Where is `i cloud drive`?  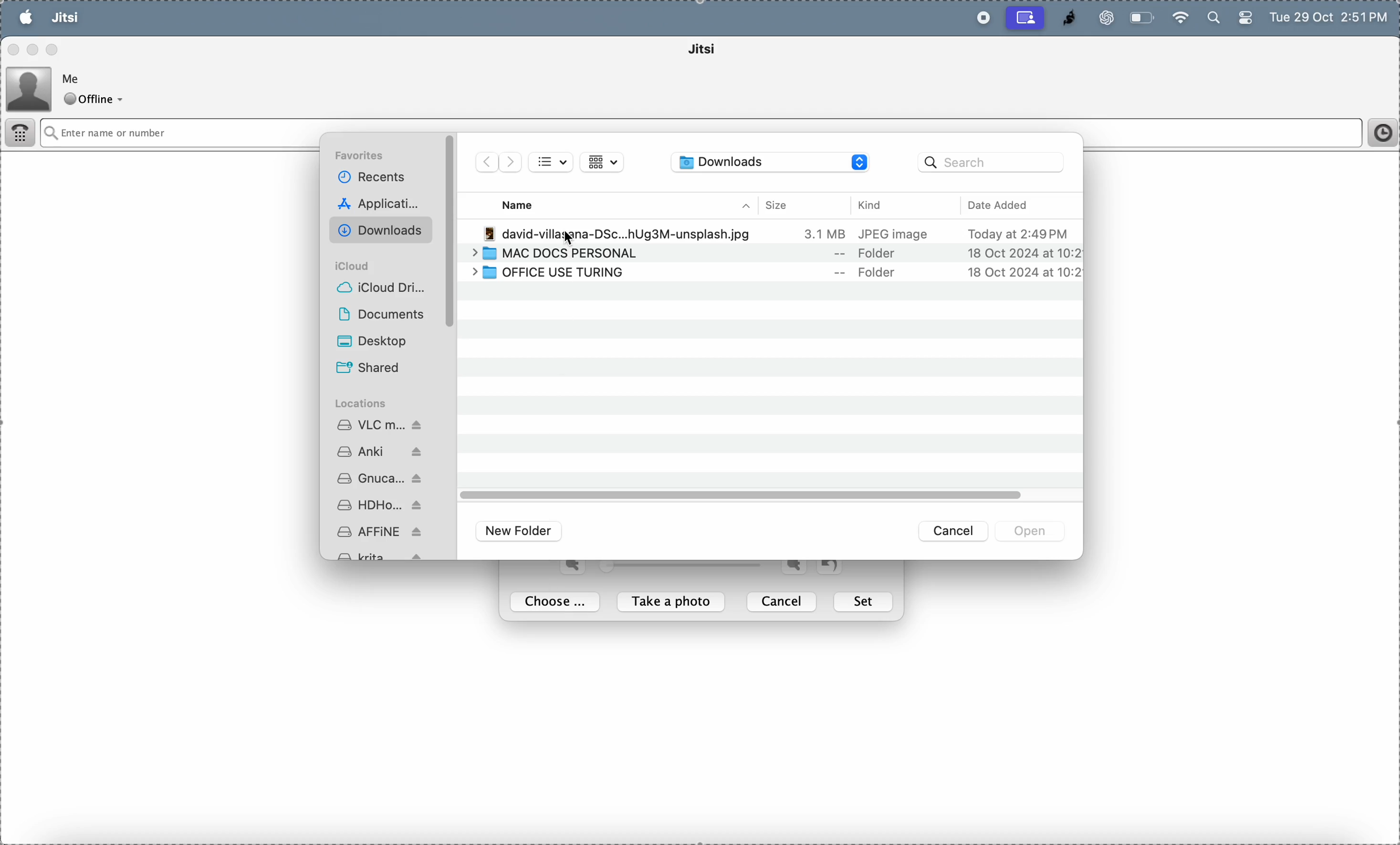 i cloud drive is located at coordinates (382, 286).